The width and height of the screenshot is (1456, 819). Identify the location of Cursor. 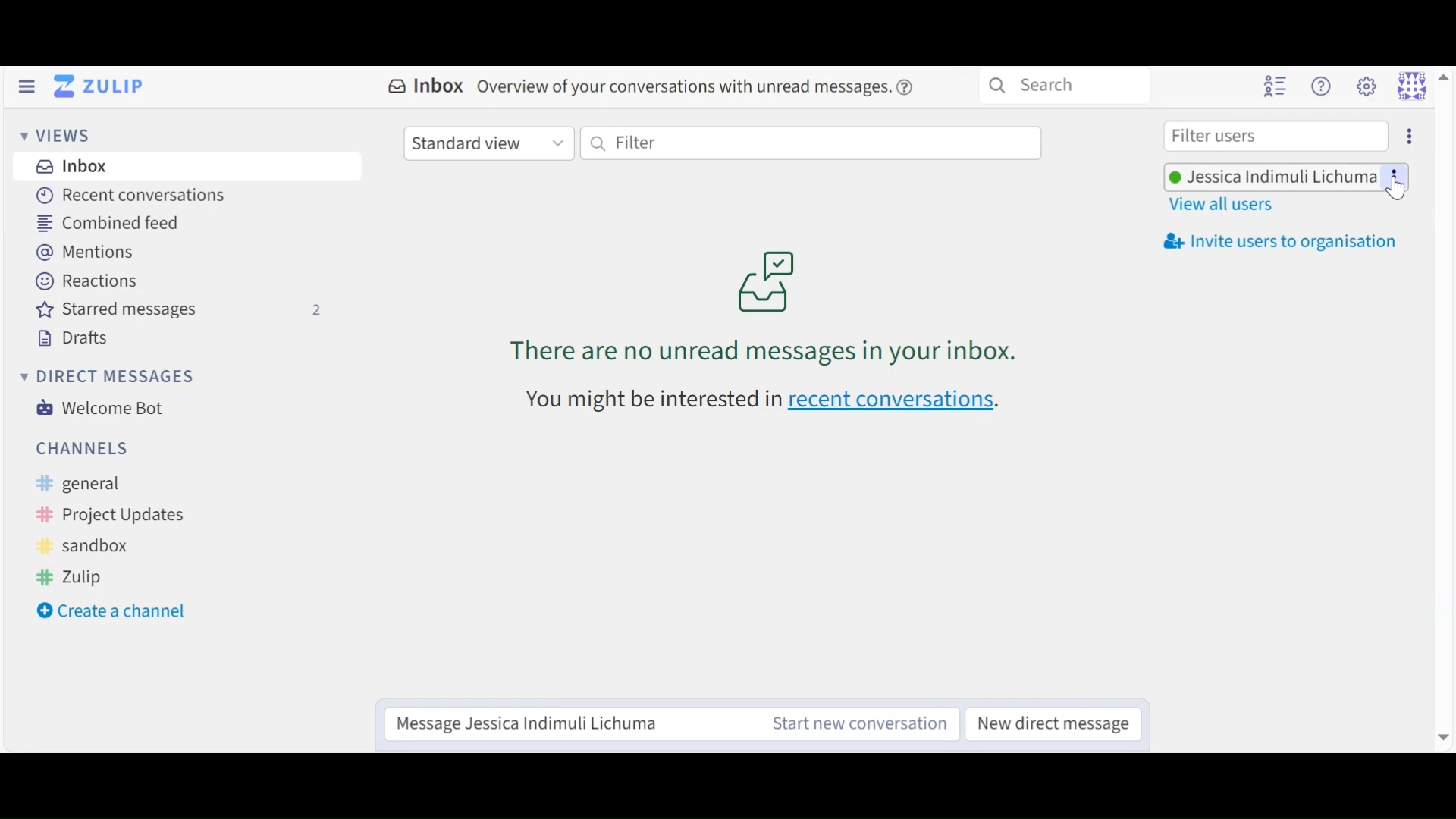
(1397, 193).